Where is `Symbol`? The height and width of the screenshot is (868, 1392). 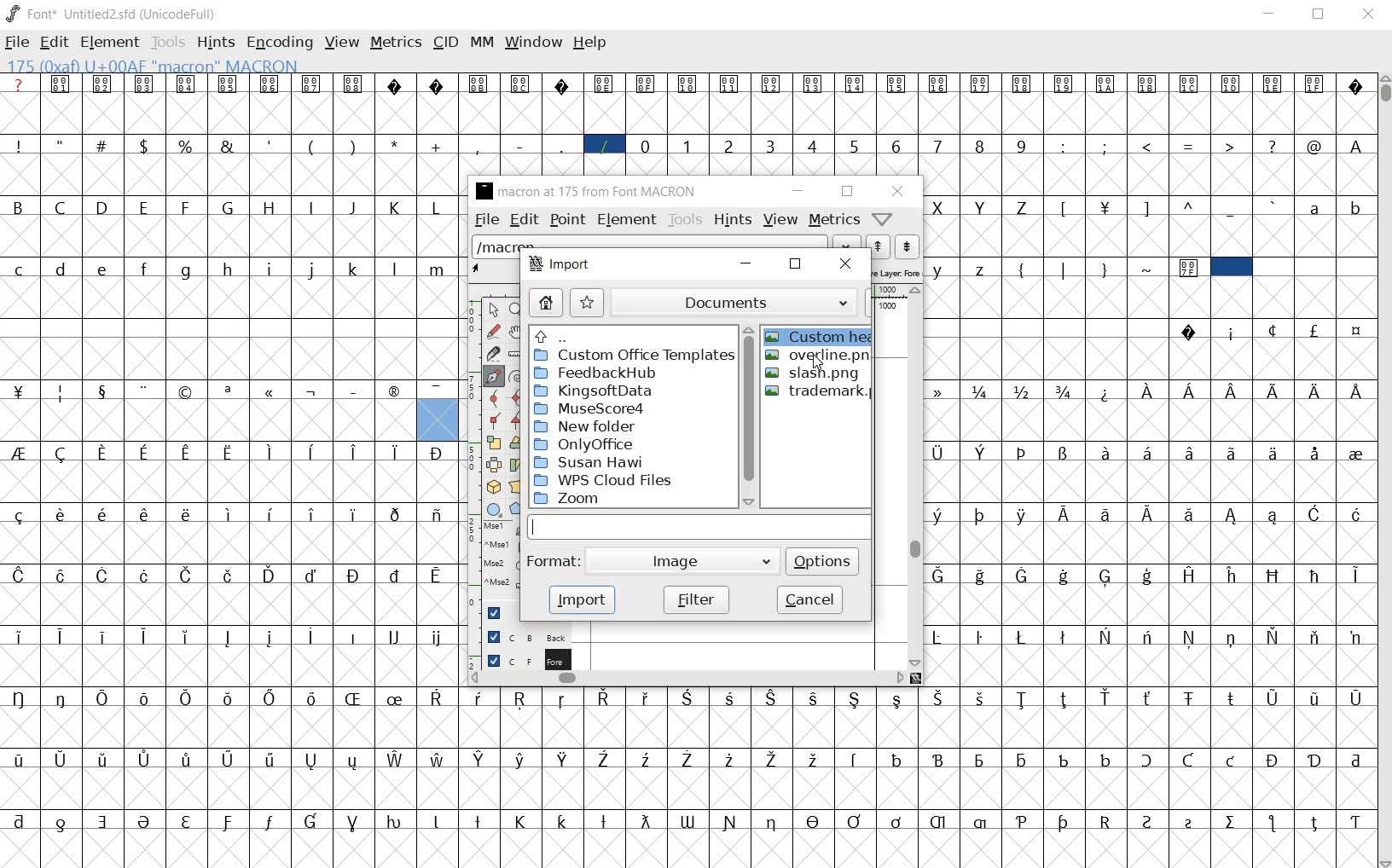
Symbol is located at coordinates (689, 83).